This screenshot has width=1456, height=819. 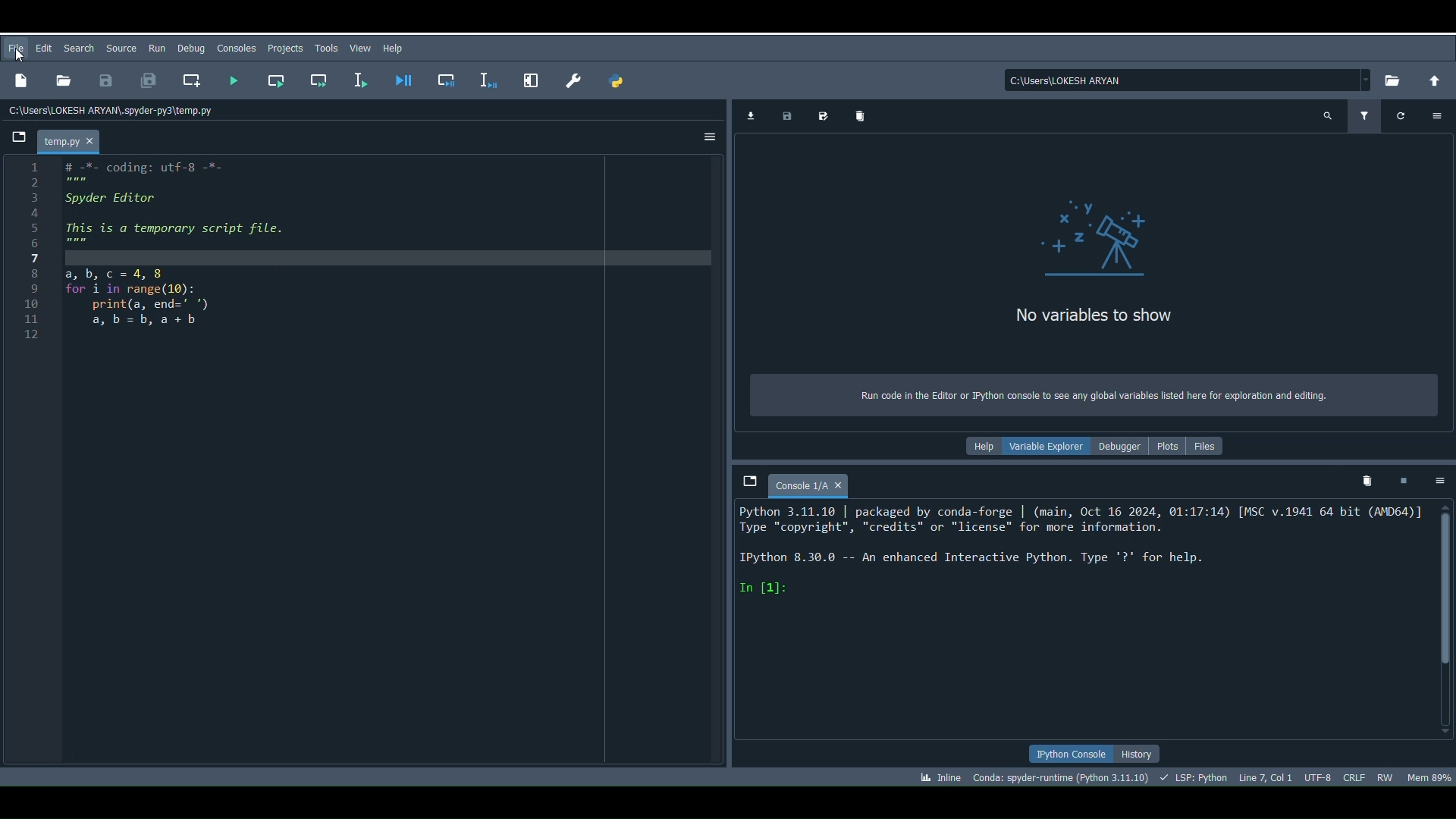 I want to click on IPython console, so click(x=1065, y=755).